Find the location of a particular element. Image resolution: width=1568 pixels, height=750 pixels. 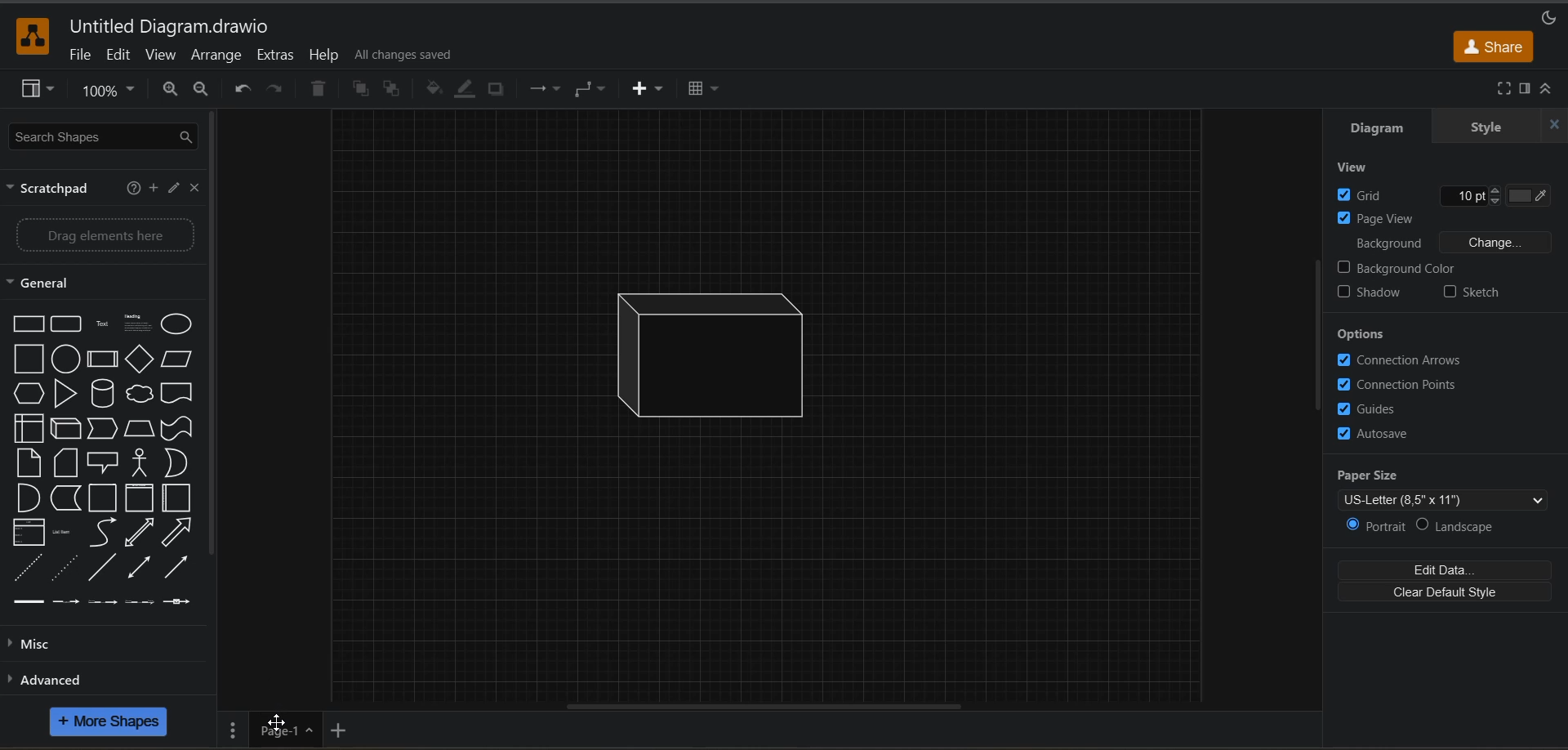

to back is located at coordinates (394, 90).